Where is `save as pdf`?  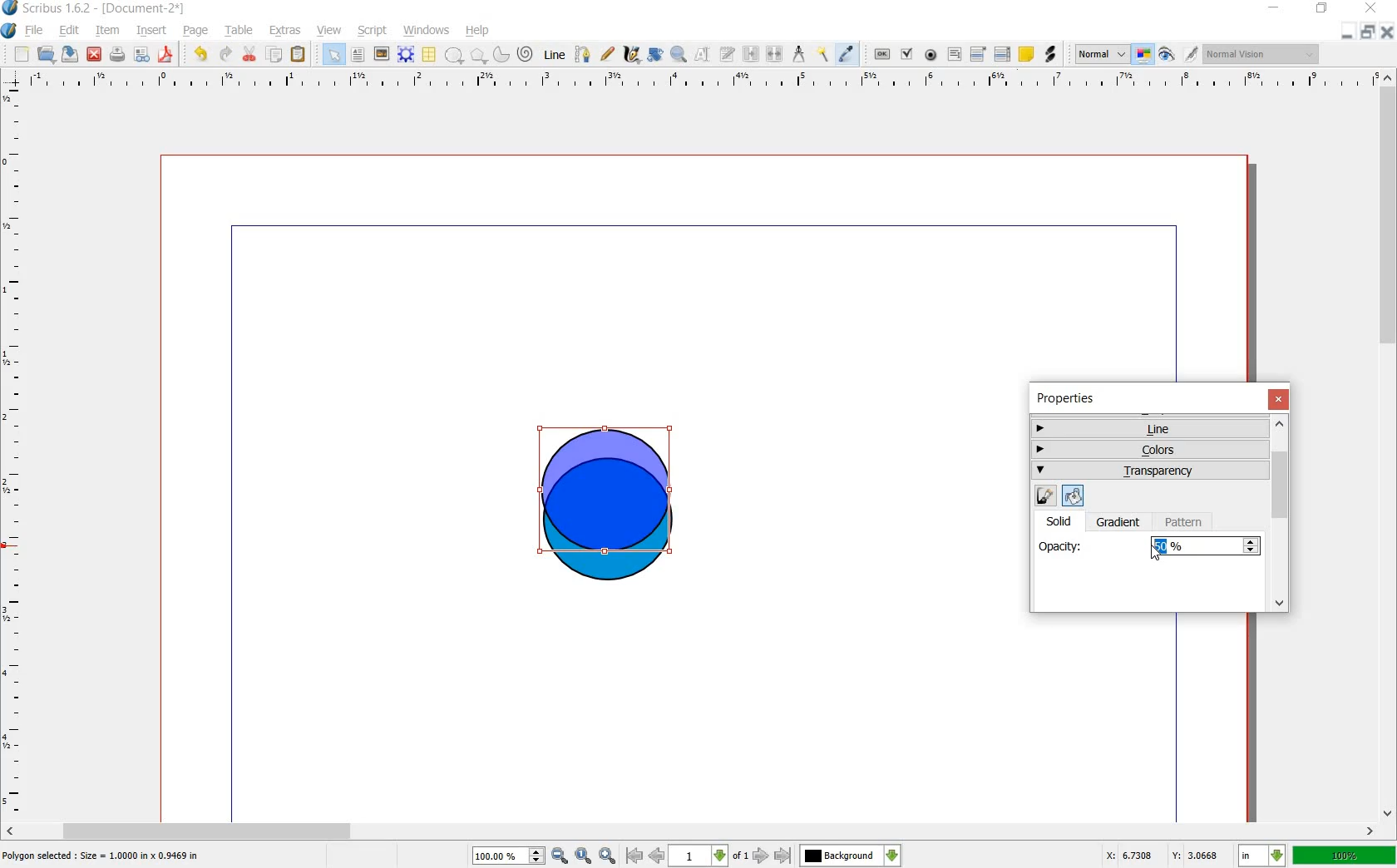
save as pdf is located at coordinates (165, 55).